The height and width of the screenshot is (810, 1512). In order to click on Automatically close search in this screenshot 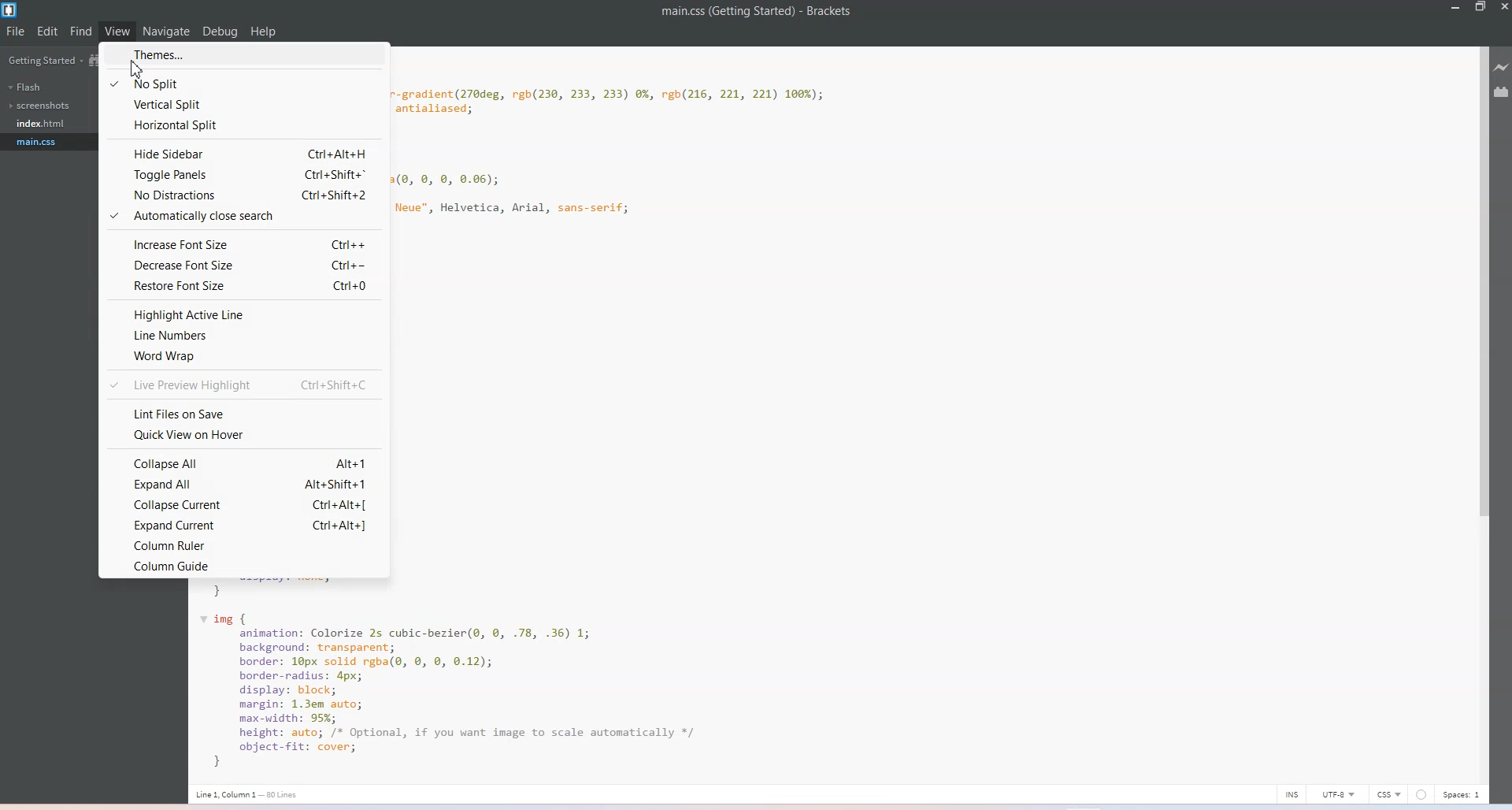, I will do `click(243, 217)`.